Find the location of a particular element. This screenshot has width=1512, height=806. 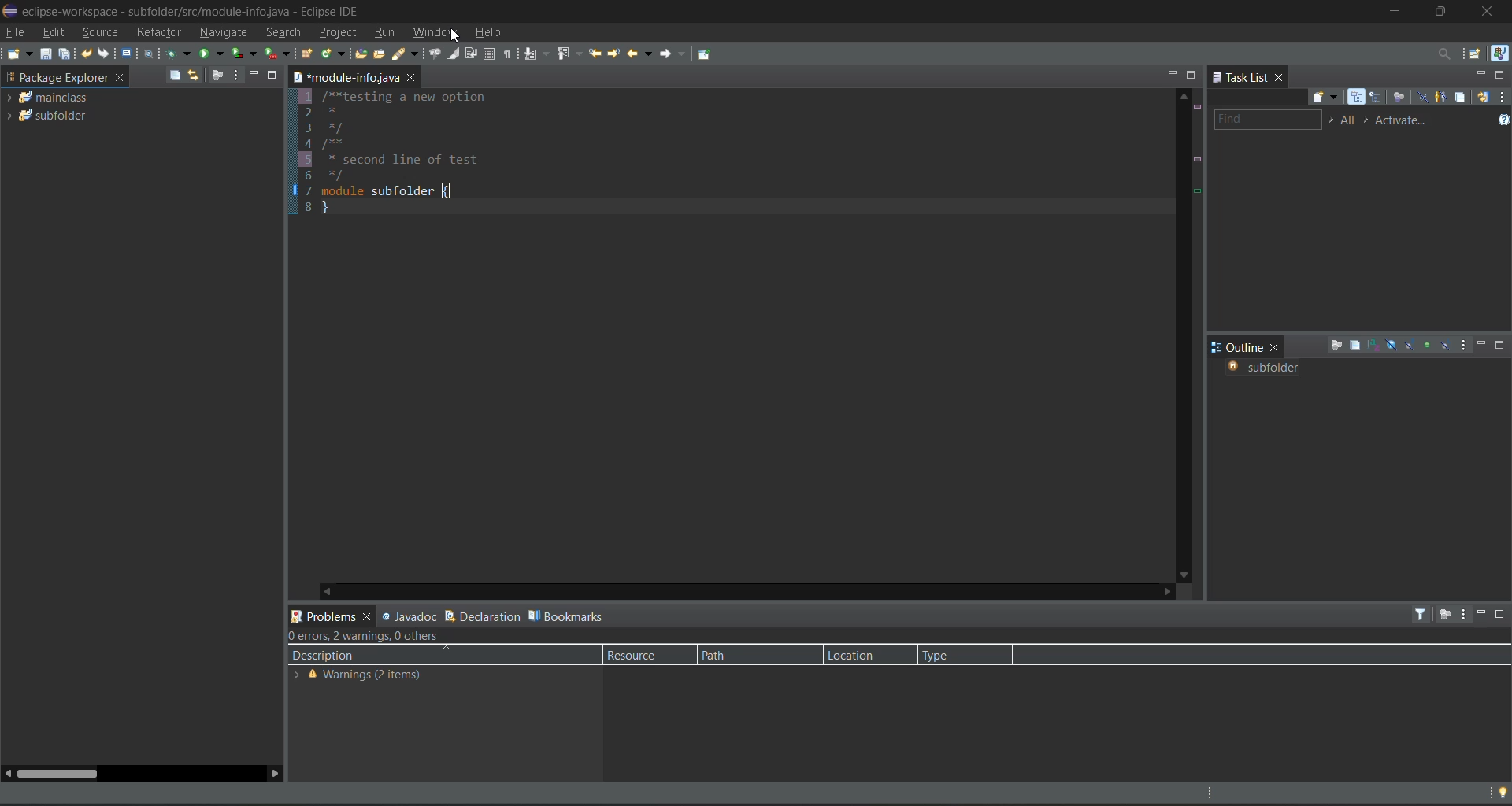

outline is located at coordinates (1238, 347).